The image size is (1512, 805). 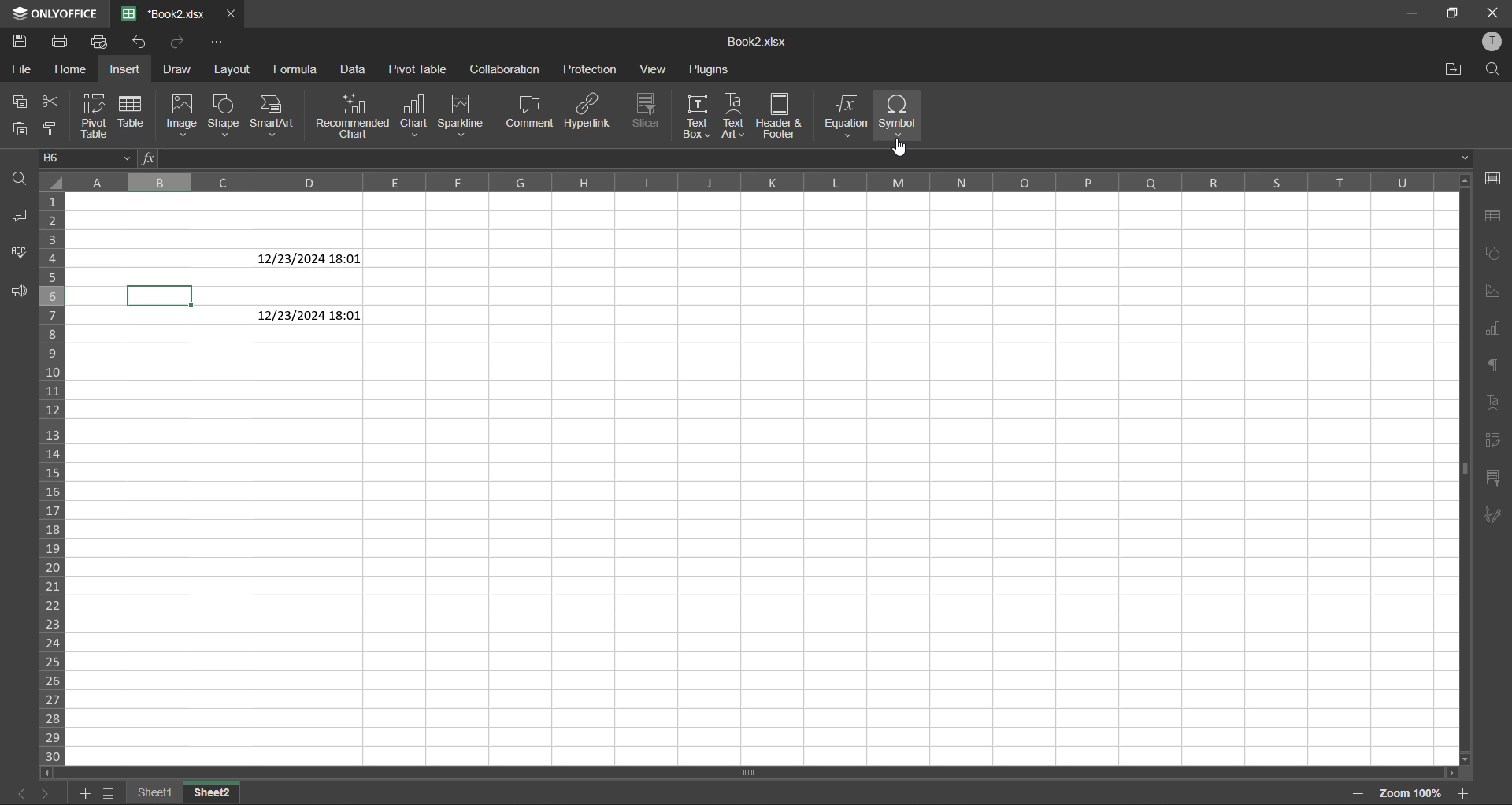 What do you see at coordinates (736, 117) in the screenshot?
I see `text art` at bounding box center [736, 117].